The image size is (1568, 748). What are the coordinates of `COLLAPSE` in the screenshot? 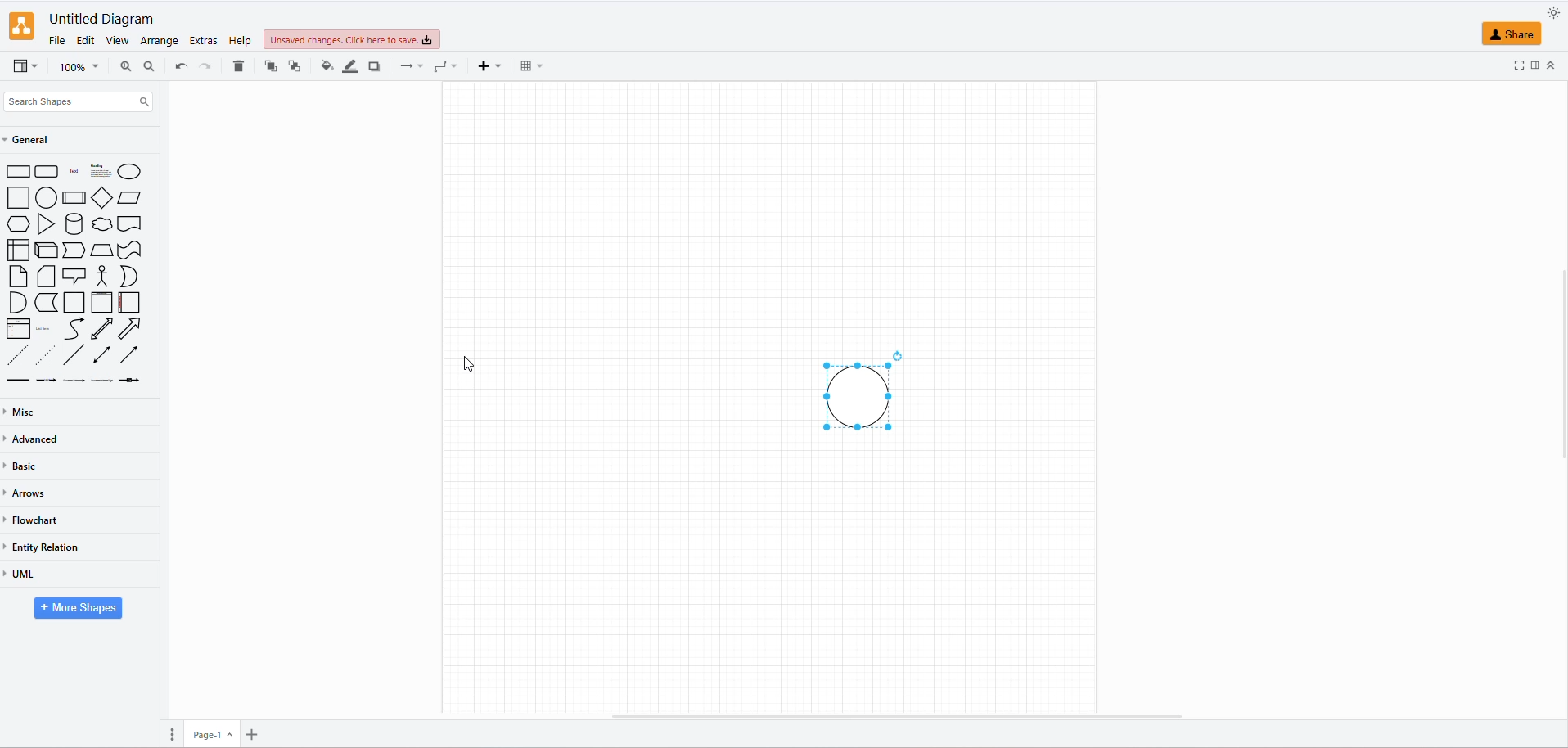 It's located at (1553, 65).